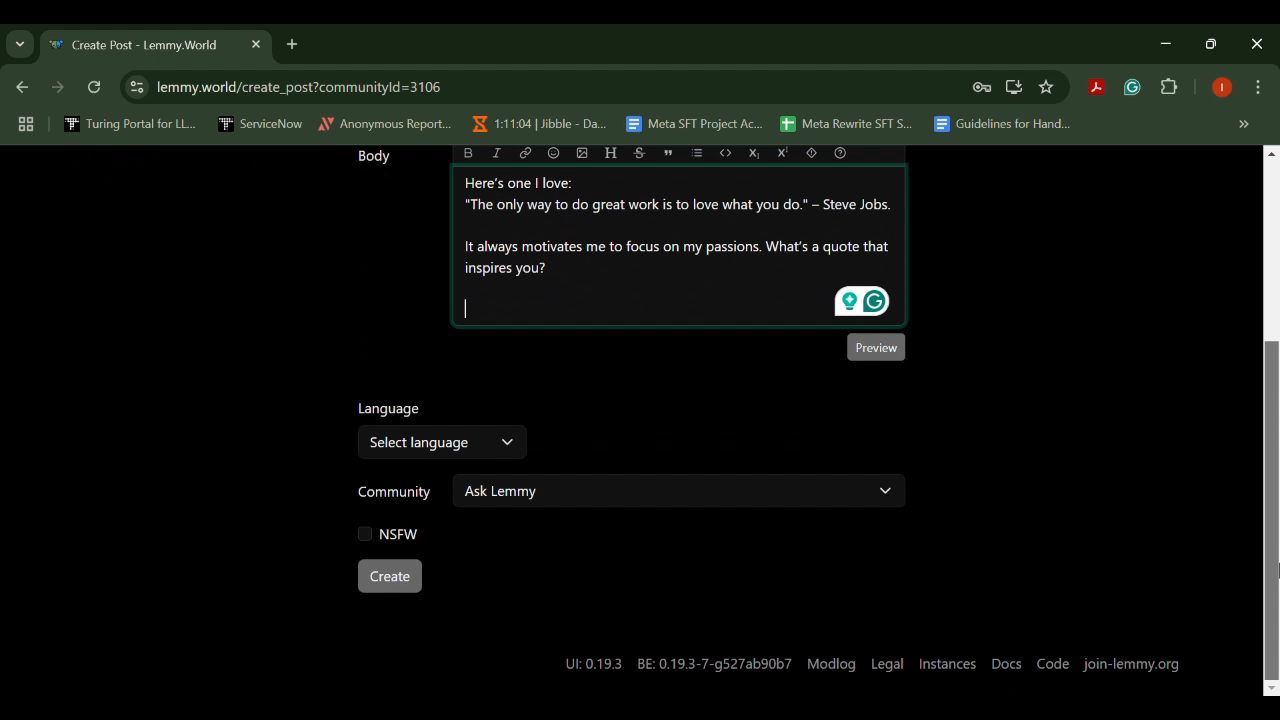 Image resolution: width=1280 pixels, height=720 pixels. I want to click on ServiceNow, so click(261, 123).